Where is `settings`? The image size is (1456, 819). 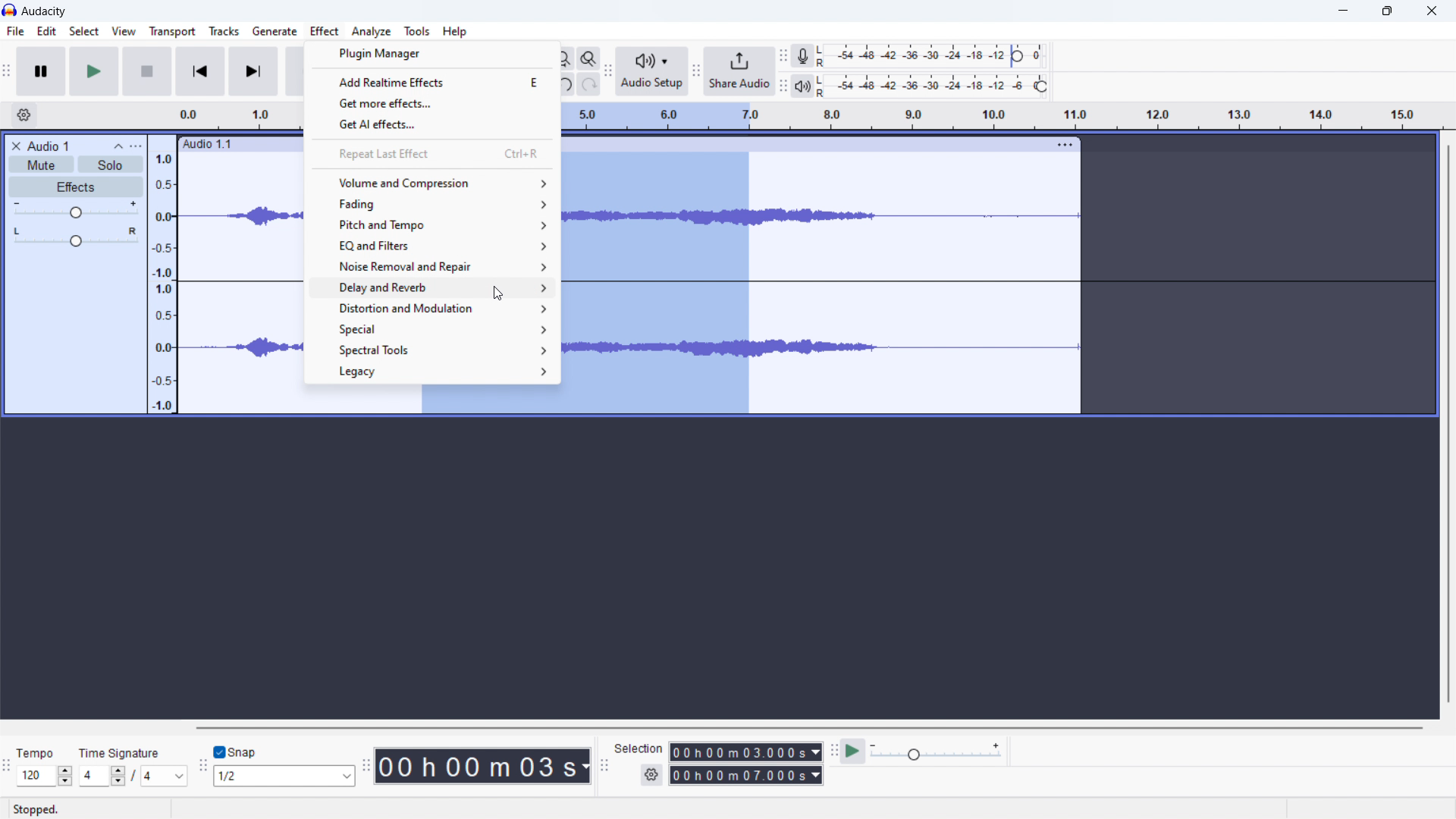 settings is located at coordinates (23, 116).